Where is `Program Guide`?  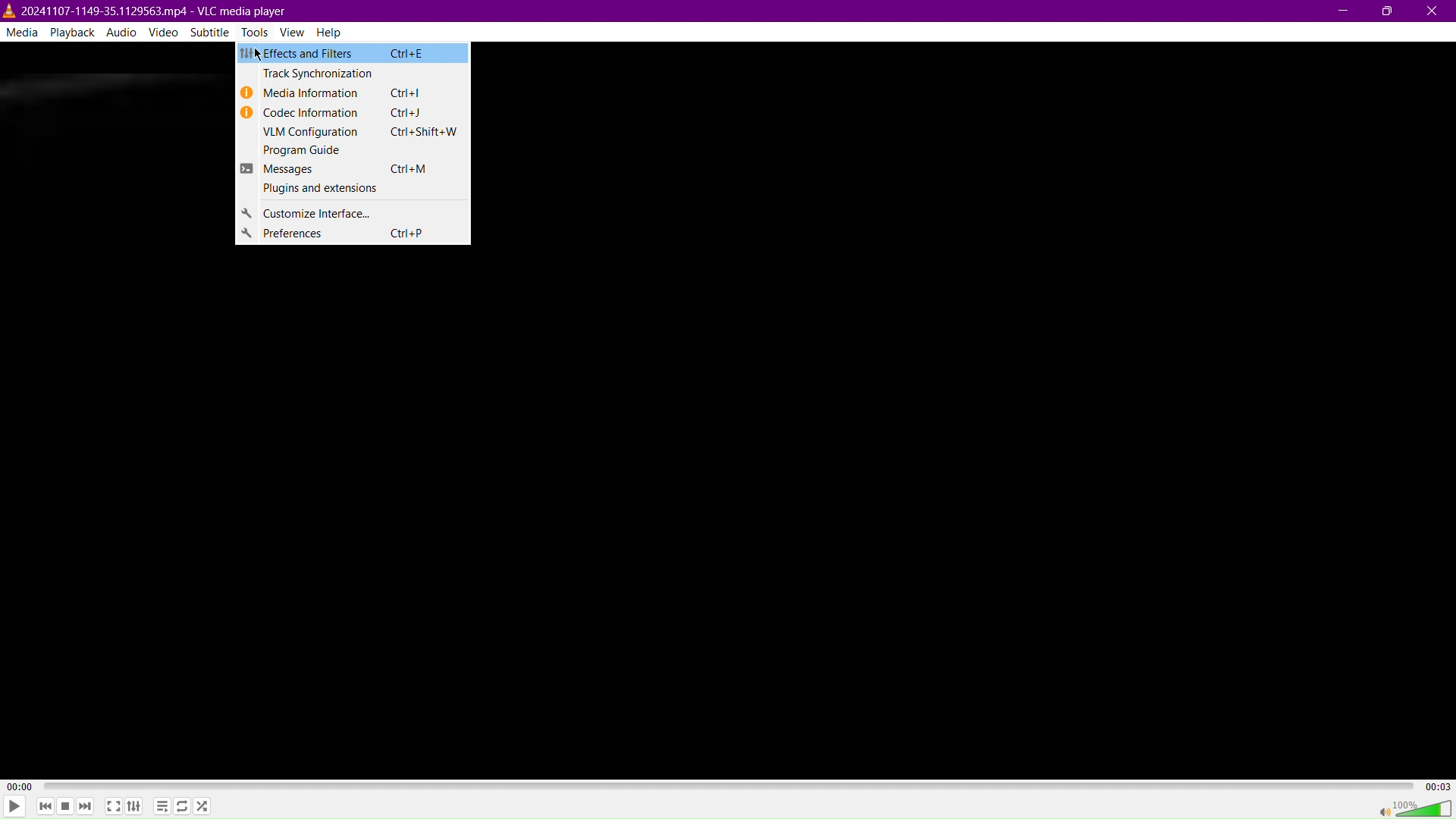 Program Guide is located at coordinates (353, 151).